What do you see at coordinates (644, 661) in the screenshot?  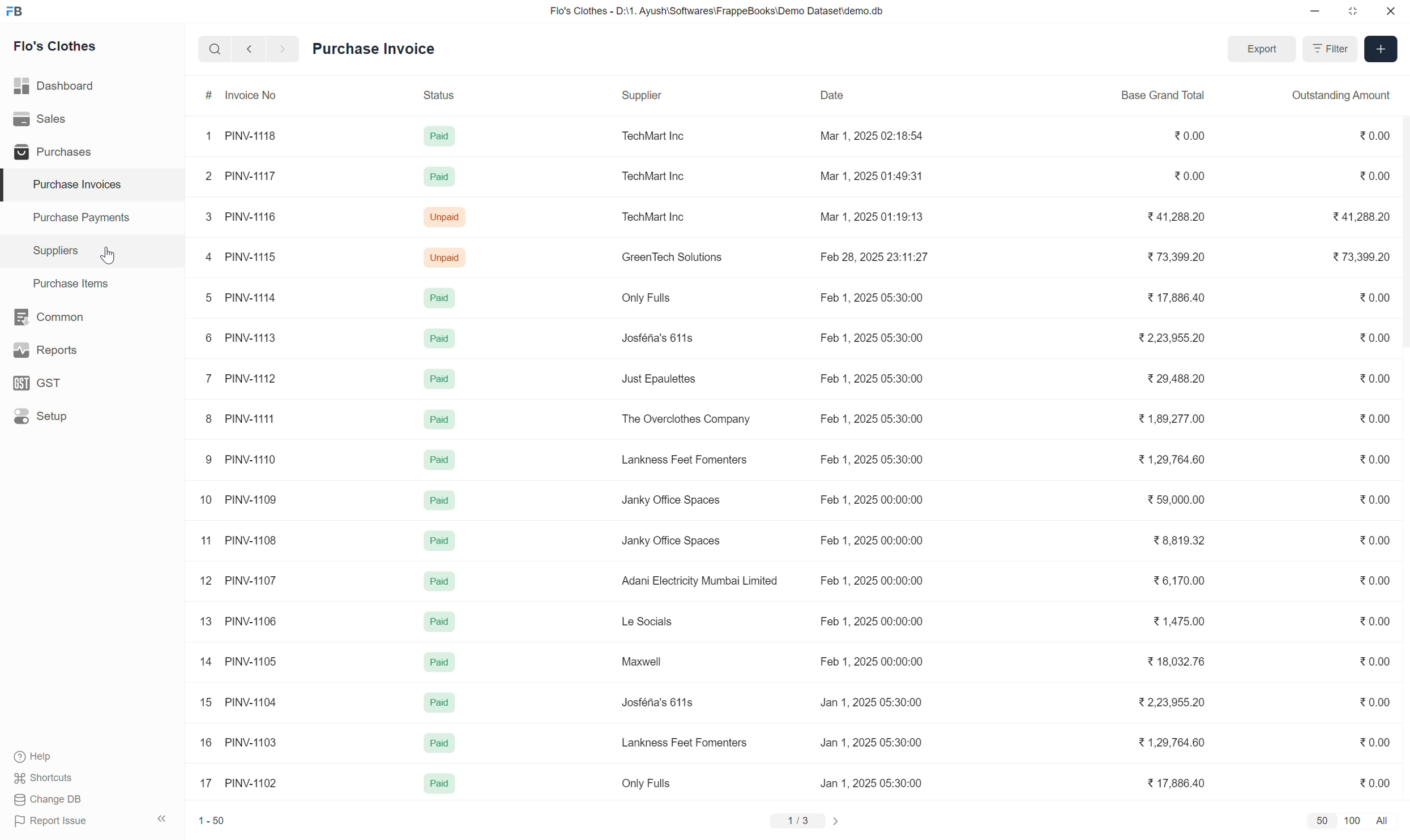 I see `Maxwell` at bounding box center [644, 661].